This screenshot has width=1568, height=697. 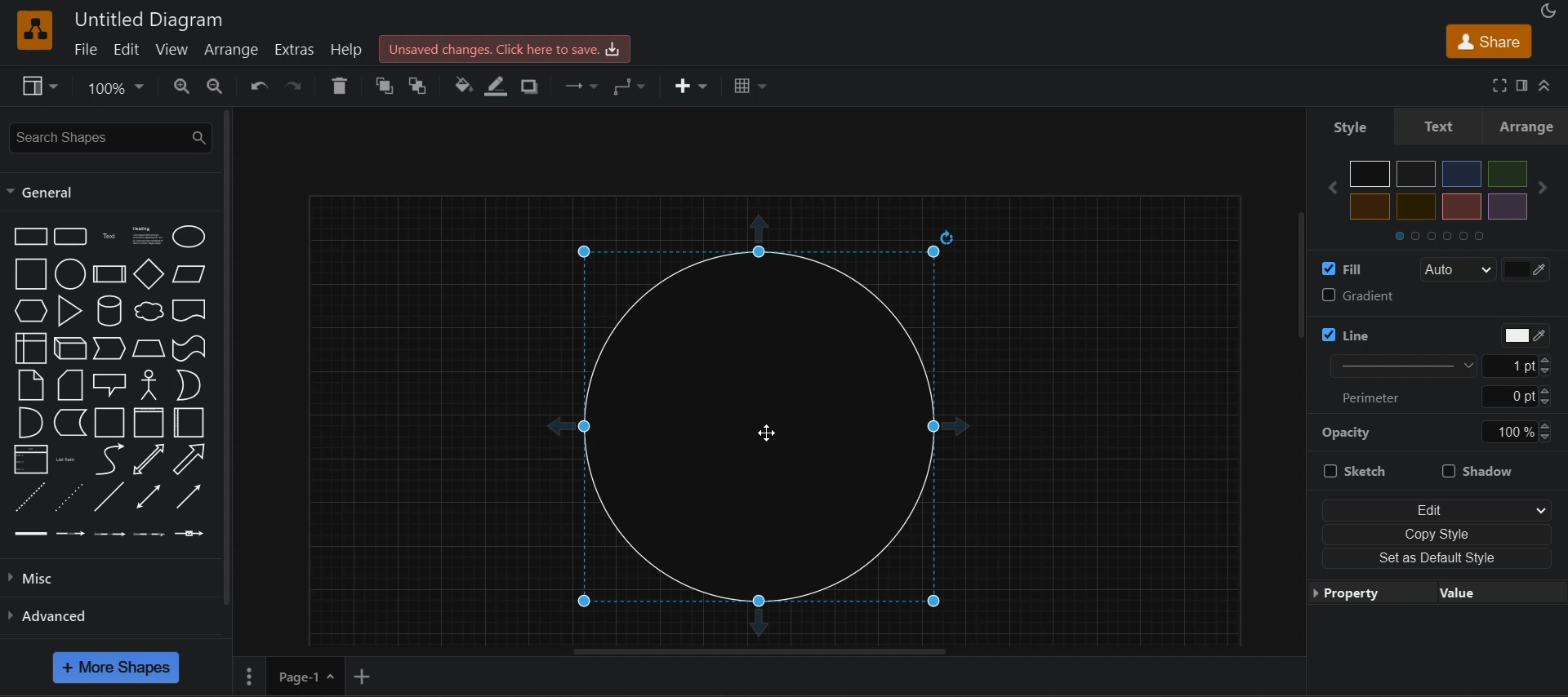 What do you see at coordinates (751, 419) in the screenshot?
I see `circler` at bounding box center [751, 419].